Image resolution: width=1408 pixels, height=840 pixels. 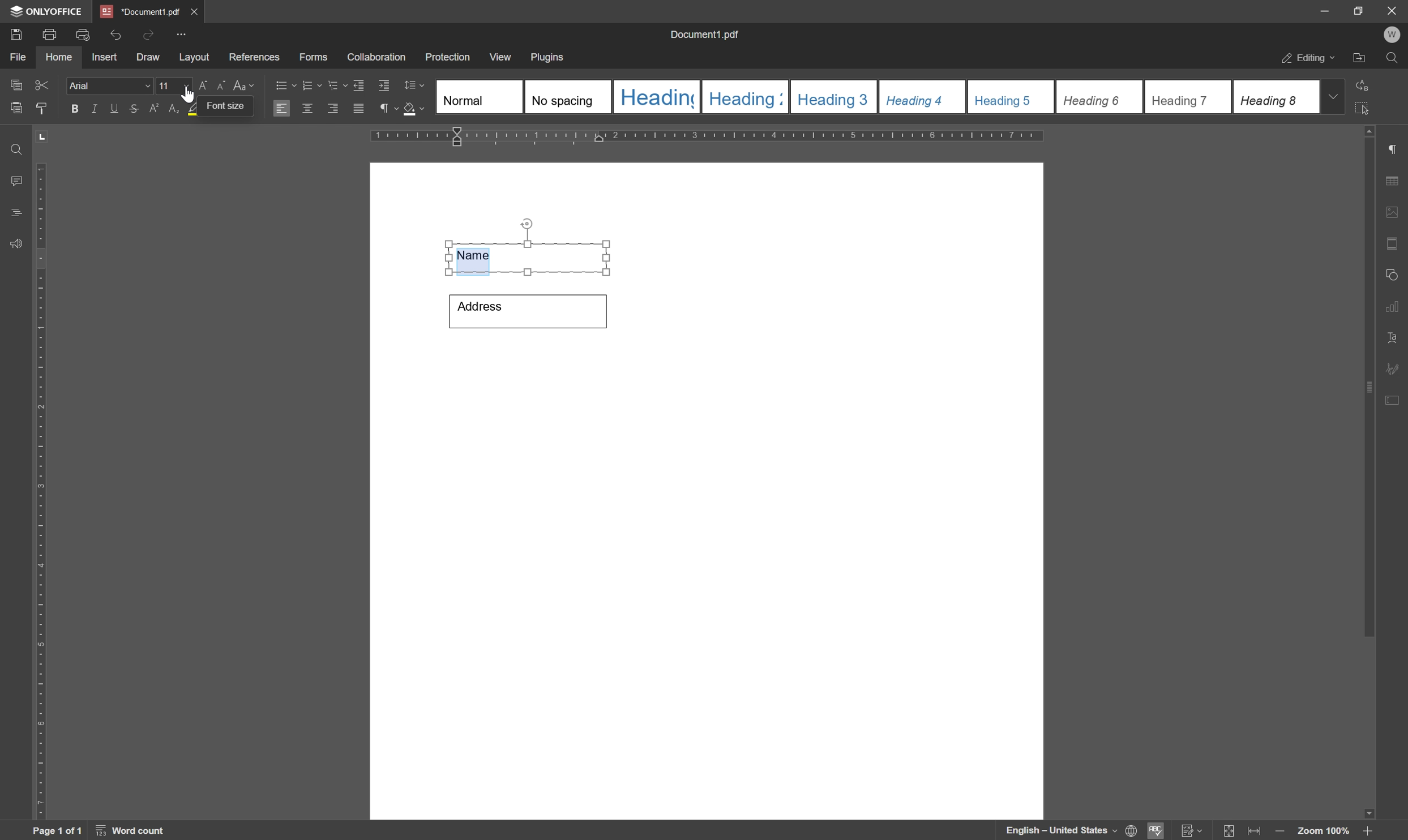 What do you see at coordinates (282, 109) in the screenshot?
I see `Align left` at bounding box center [282, 109].